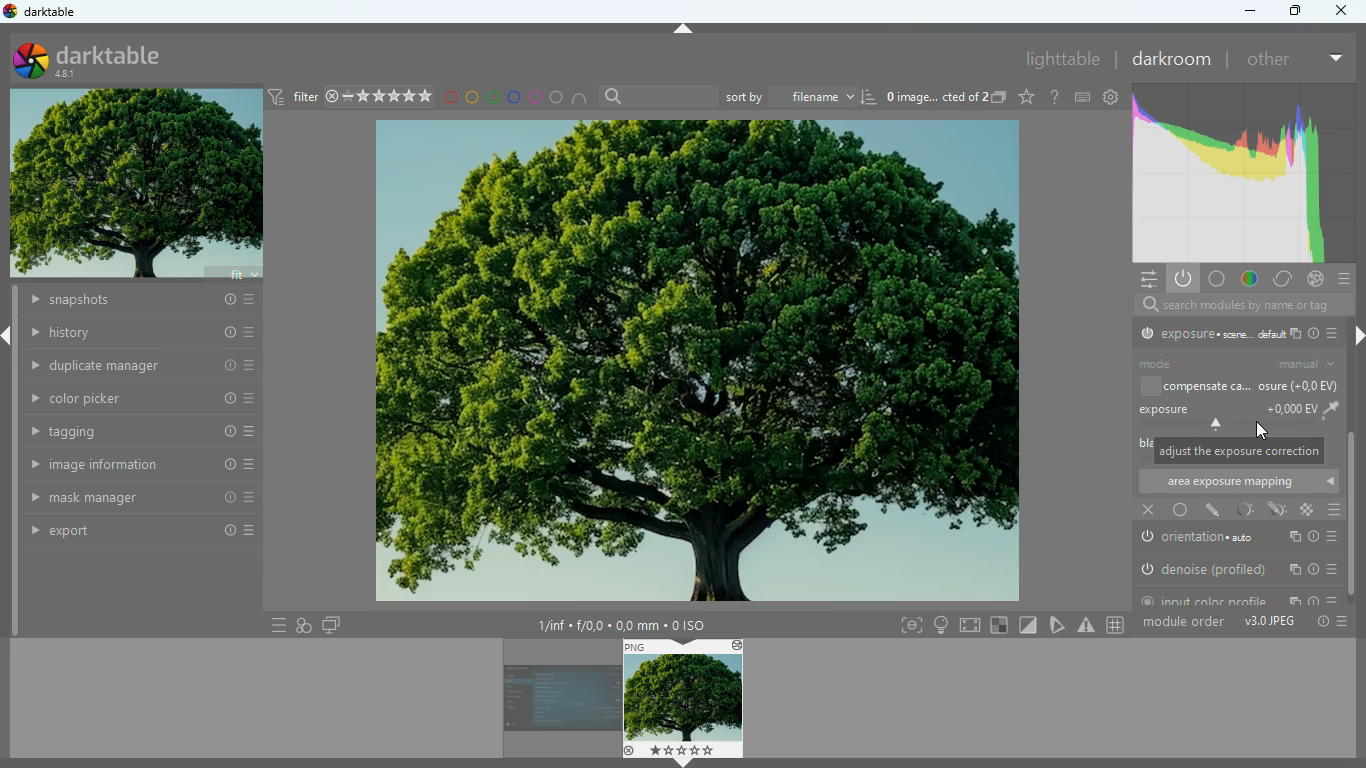  I want to click on export, so click(136, 531).